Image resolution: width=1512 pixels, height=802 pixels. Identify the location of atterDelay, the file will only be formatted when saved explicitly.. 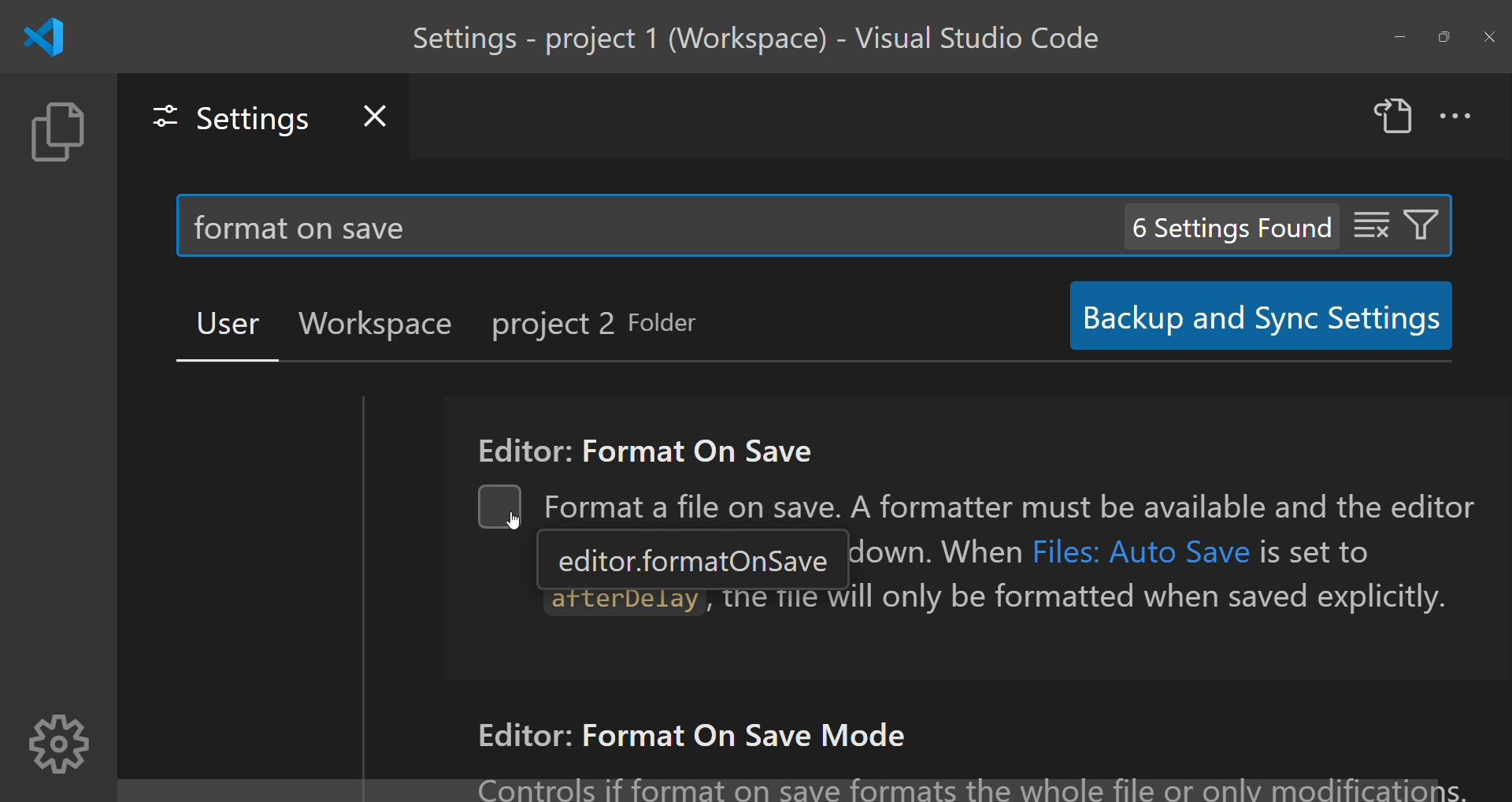
(1002, 605).